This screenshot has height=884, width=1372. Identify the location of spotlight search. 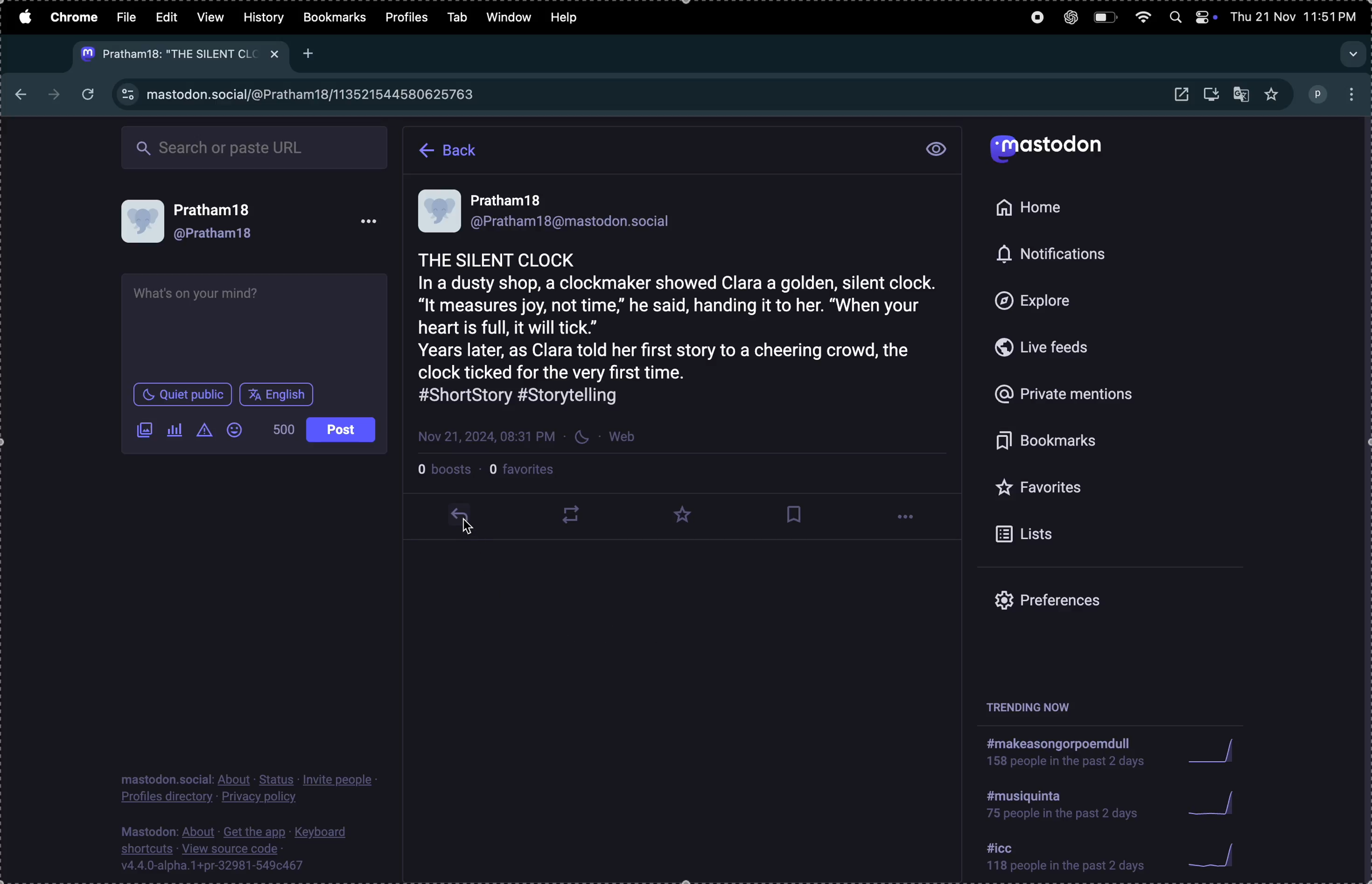
(1173, 17).